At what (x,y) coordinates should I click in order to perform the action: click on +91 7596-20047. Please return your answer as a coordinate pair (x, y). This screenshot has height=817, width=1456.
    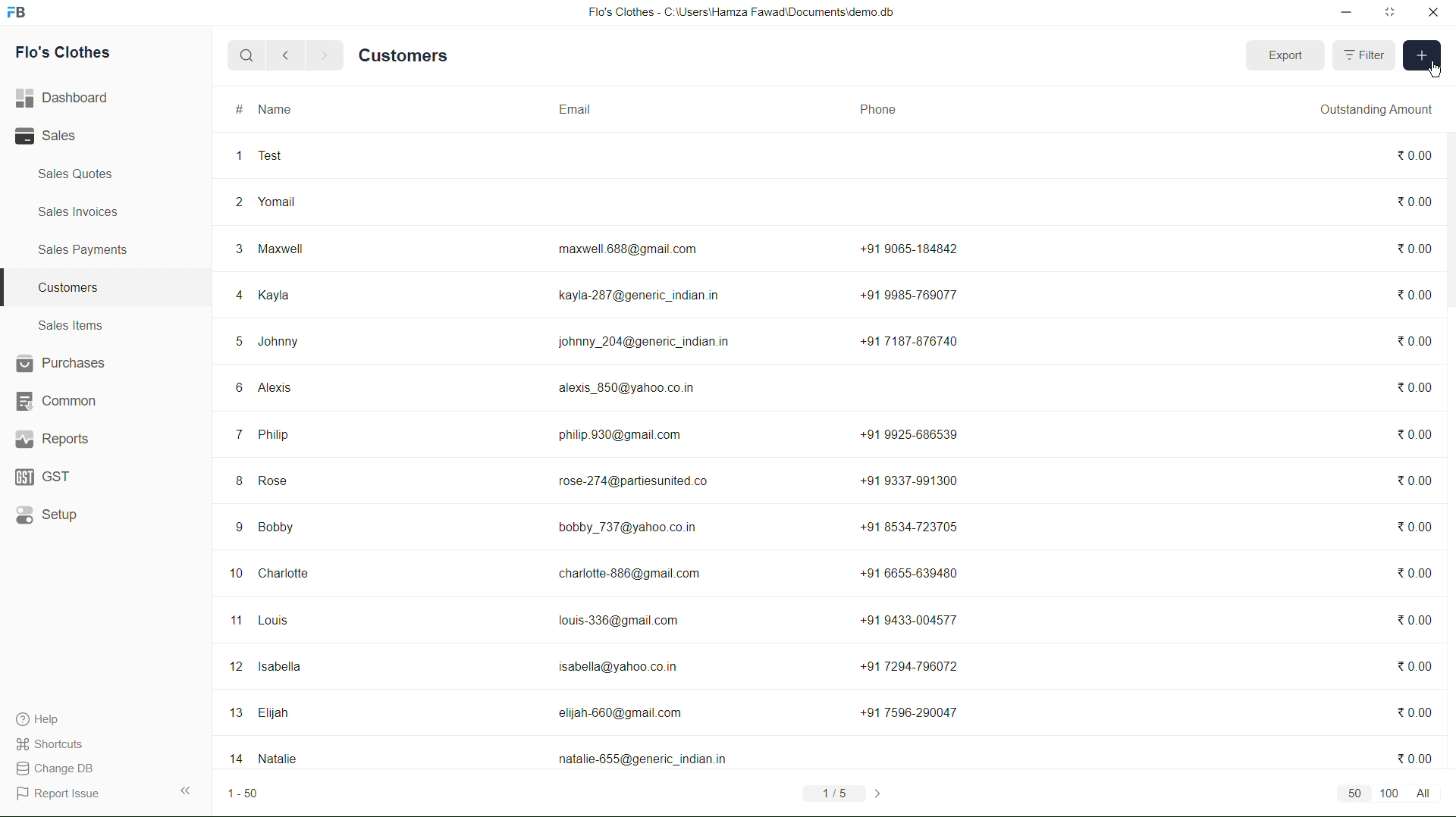
    Looking at the image, I should click on (932, 711).